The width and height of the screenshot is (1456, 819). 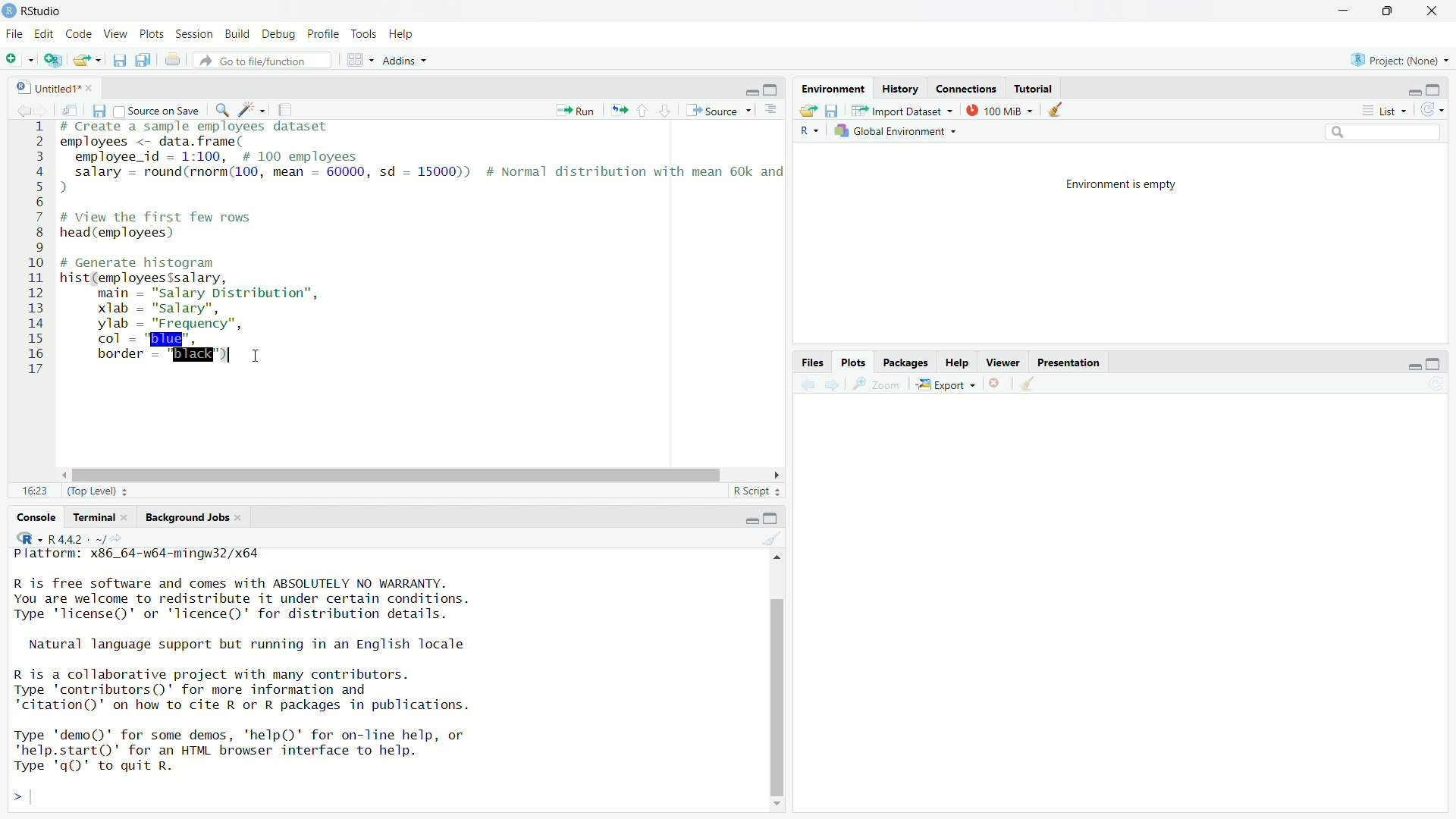 I want to click on clean, so click(x=1055, y=109).